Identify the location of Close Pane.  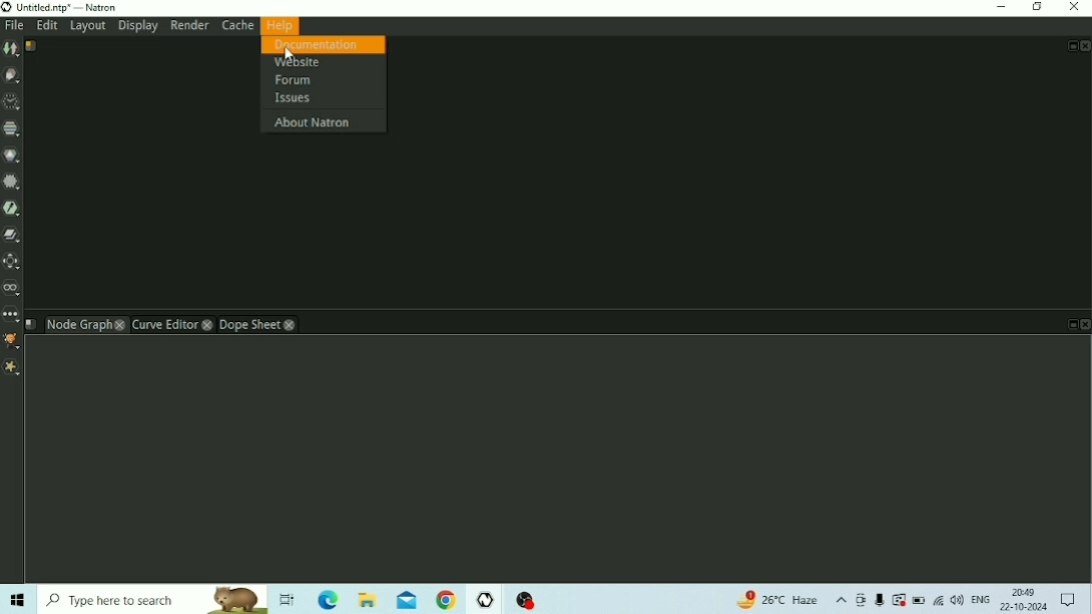
(1085, 324).